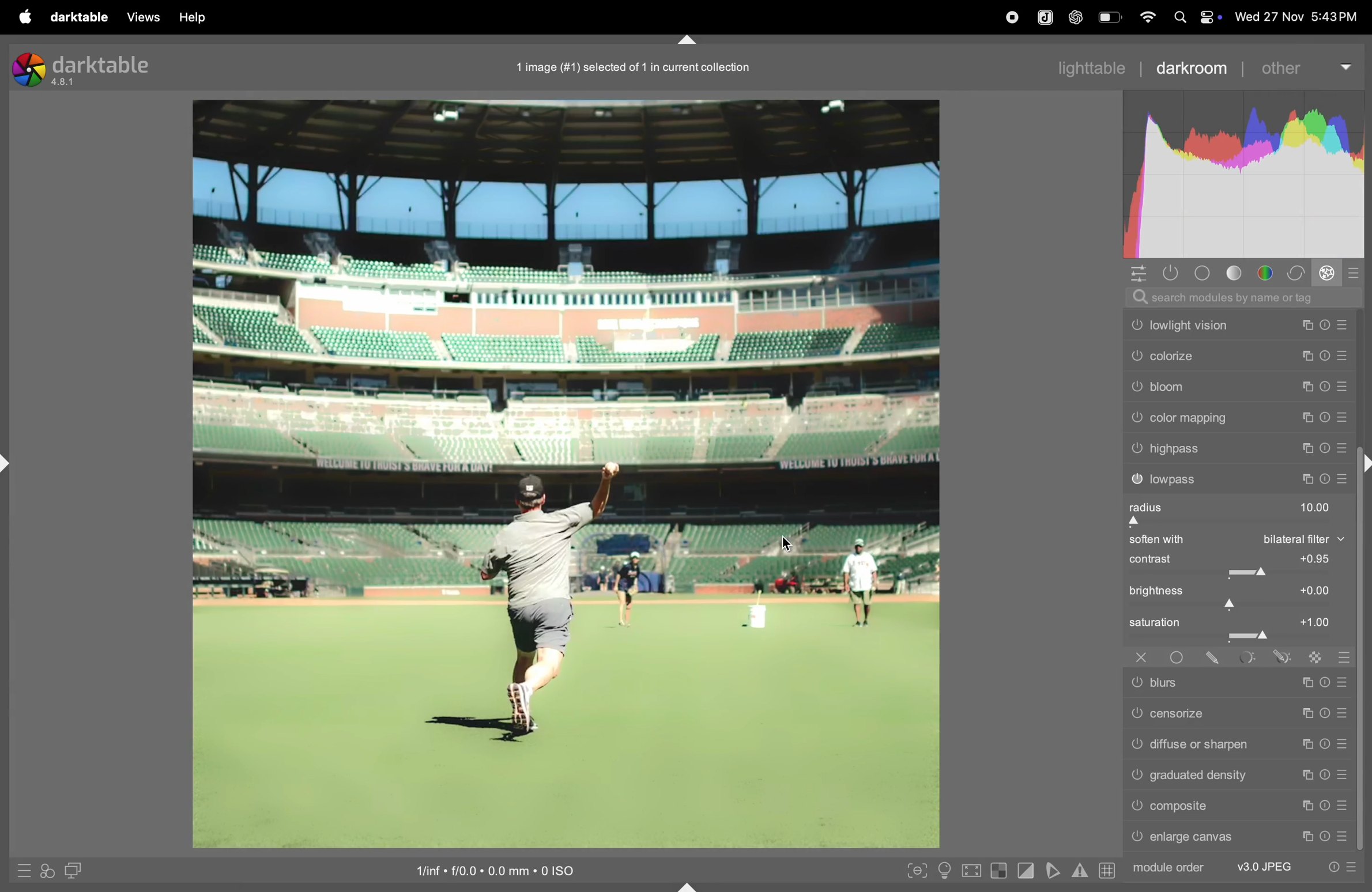 This screenshot has height=892, width=1372. I want to click on censorize, so click(1239, 712).